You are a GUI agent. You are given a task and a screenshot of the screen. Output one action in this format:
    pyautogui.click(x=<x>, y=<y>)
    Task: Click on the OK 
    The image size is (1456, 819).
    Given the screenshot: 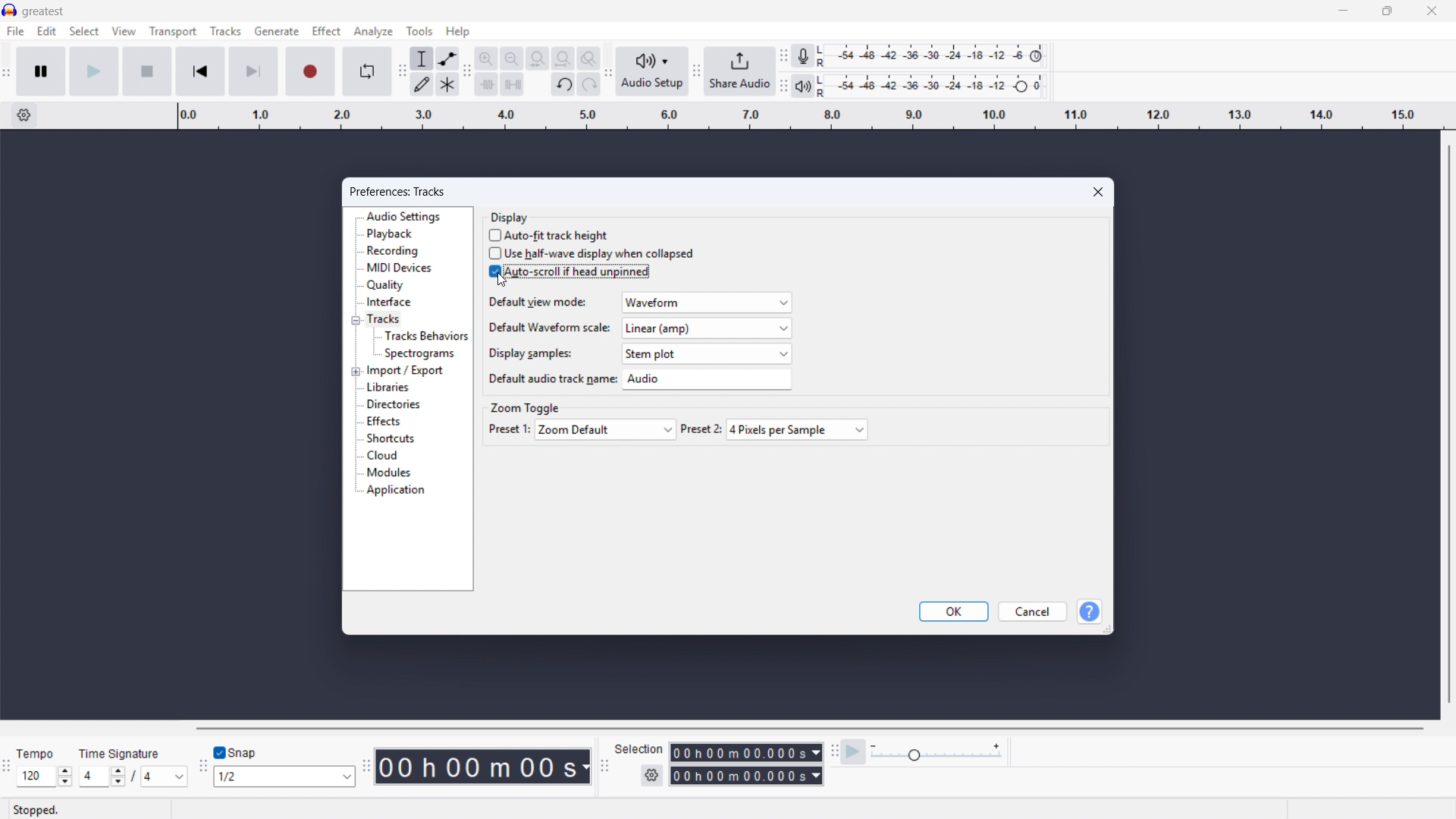 What is the action you would take?
    pyautogui.click(x=953, y=612)
    